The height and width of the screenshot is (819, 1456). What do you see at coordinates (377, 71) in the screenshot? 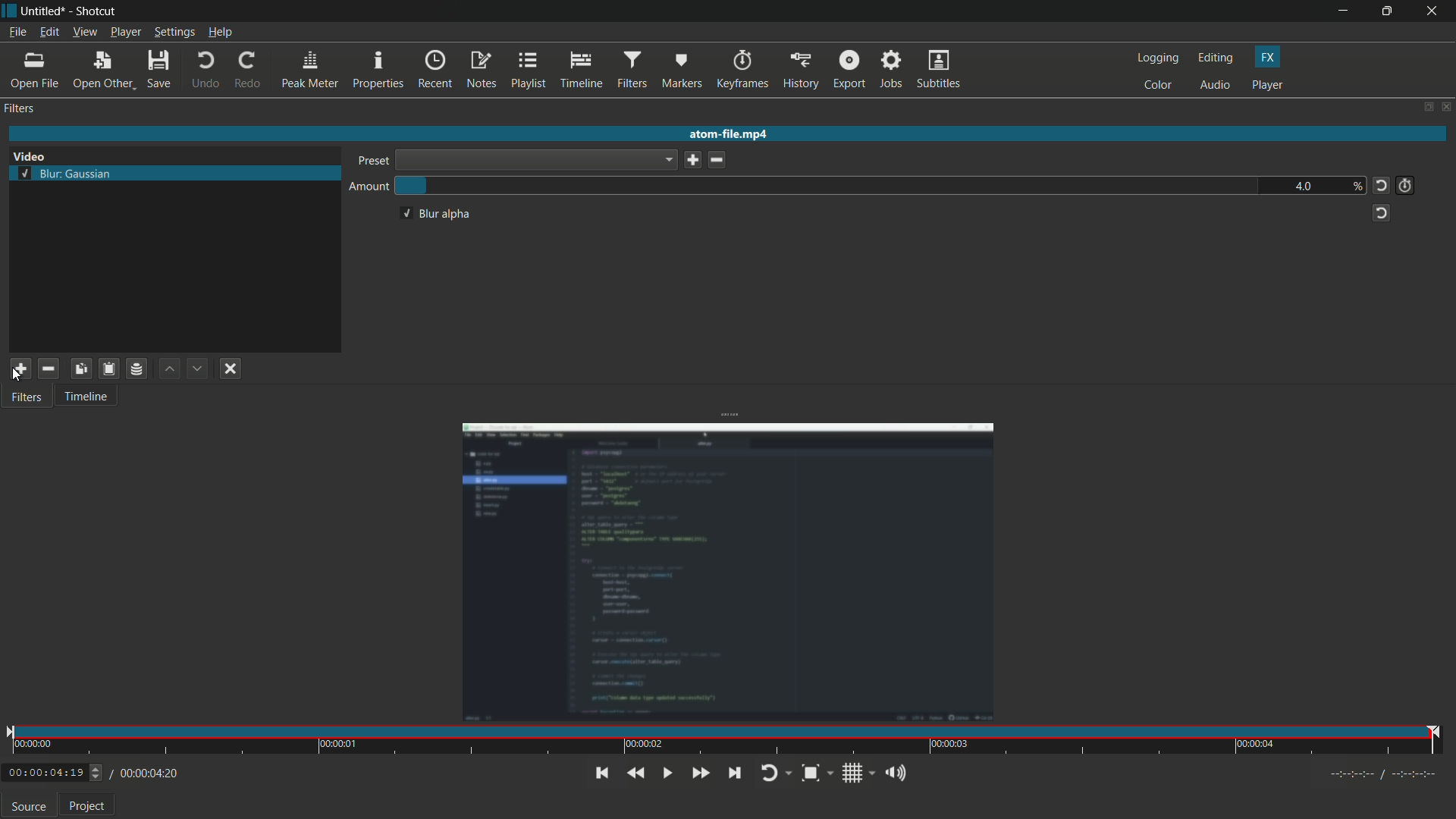
I see `properties` at bounding box center [377, 71].